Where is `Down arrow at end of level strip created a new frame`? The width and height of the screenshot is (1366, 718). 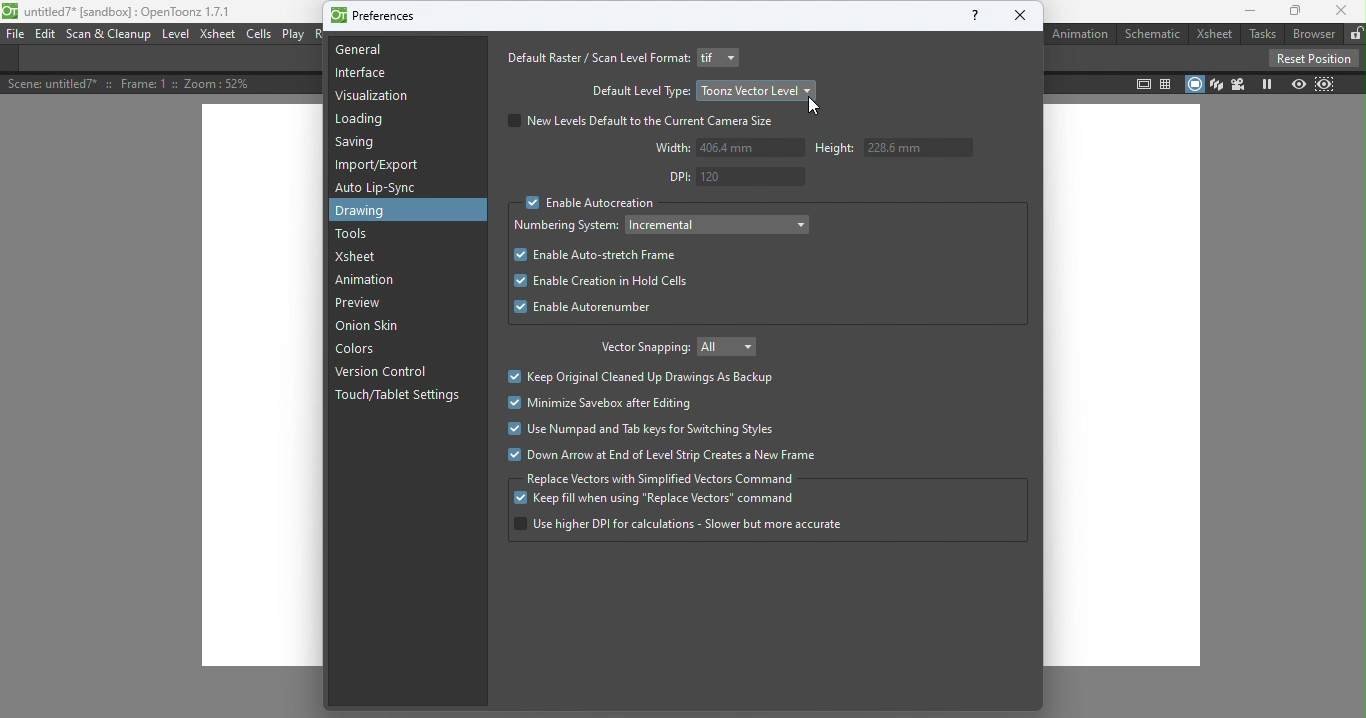
Down arrow at end of level strip created a new frame is located at coordinates (675, 455).